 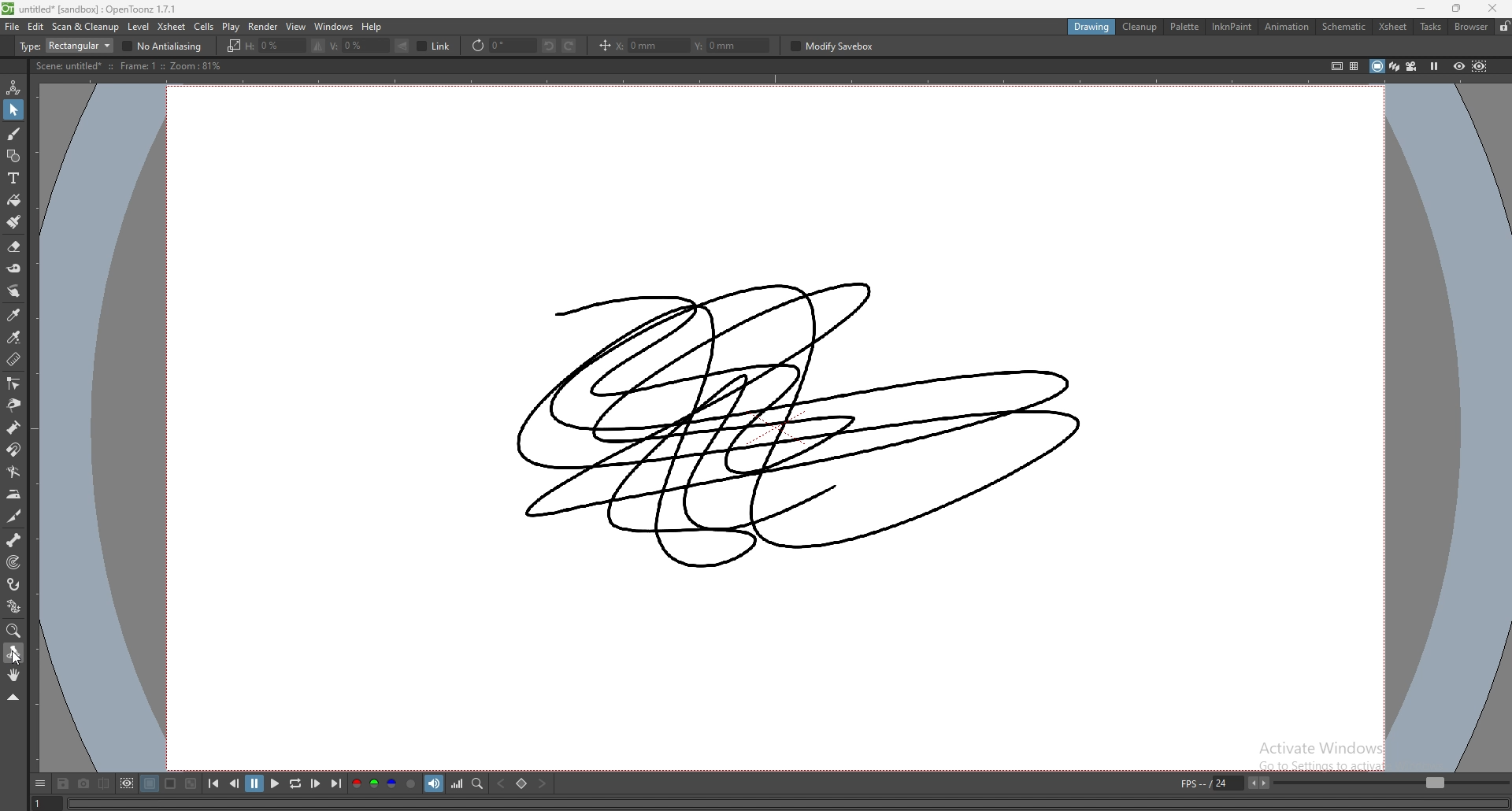 I want to click on pump, so click(x=13, y=427).